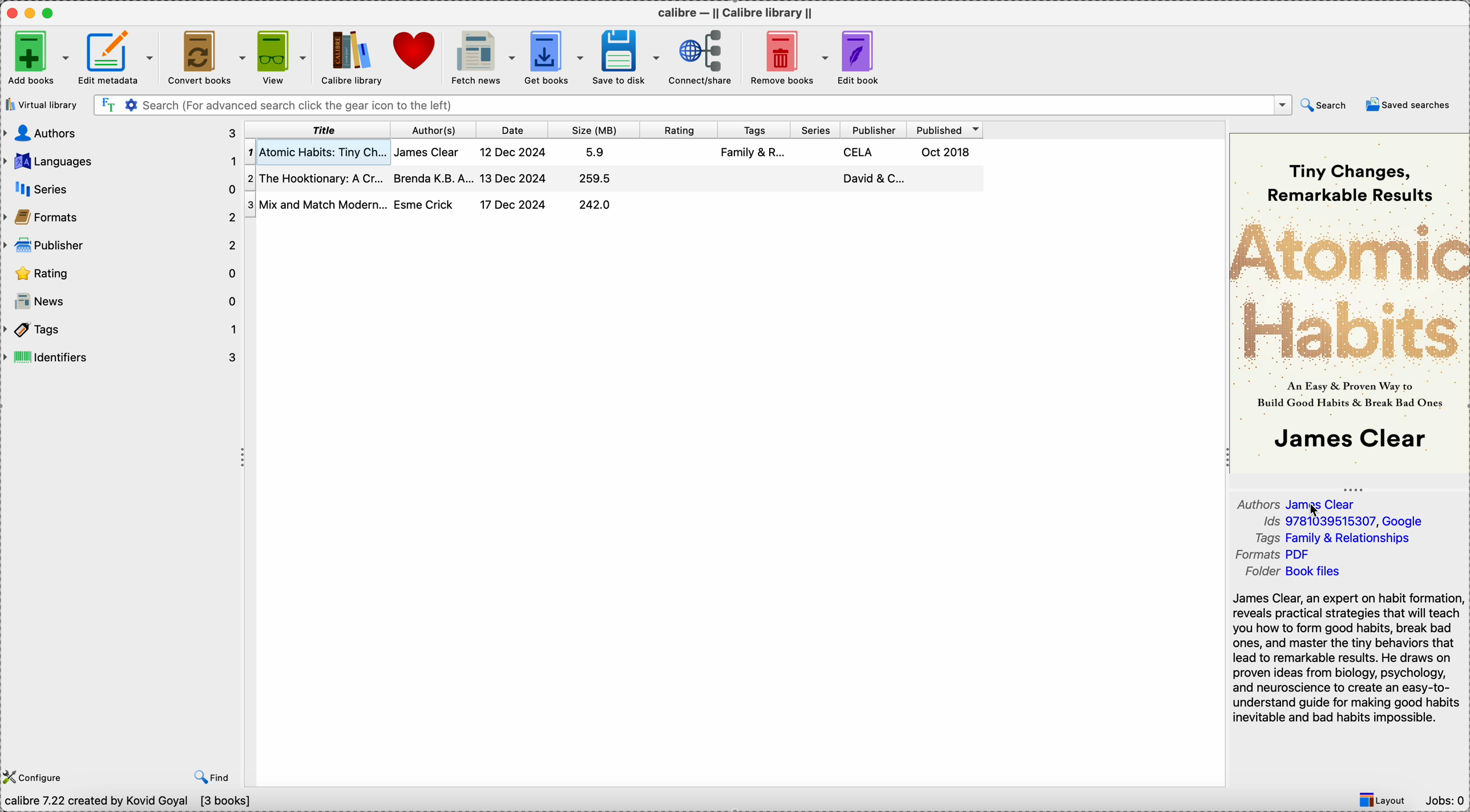 This screenshot has height=812, width=1470. What do you see at coordinates (121, 302) in the screenshot?
I see `news` at bounding box center [121, 302].